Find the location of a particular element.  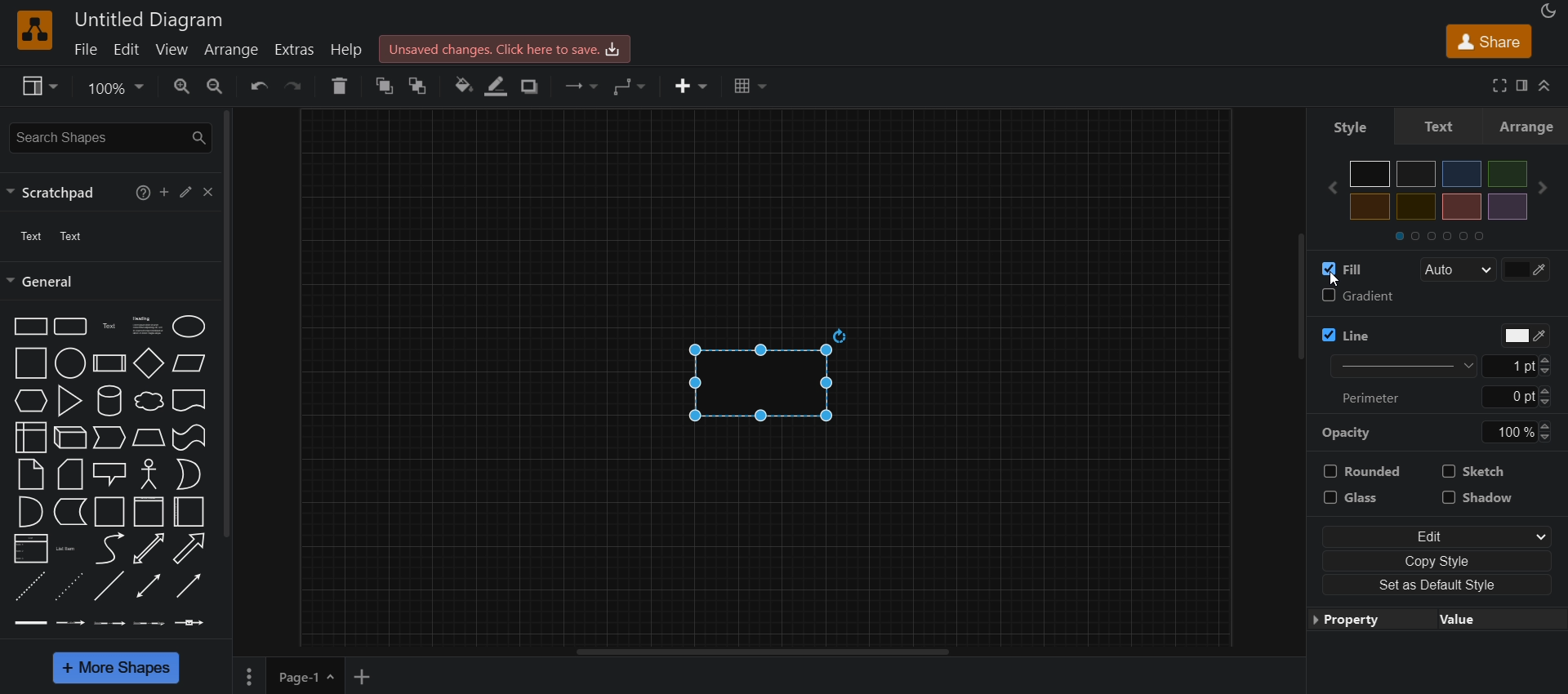

title is located at coordinates (149, 18).